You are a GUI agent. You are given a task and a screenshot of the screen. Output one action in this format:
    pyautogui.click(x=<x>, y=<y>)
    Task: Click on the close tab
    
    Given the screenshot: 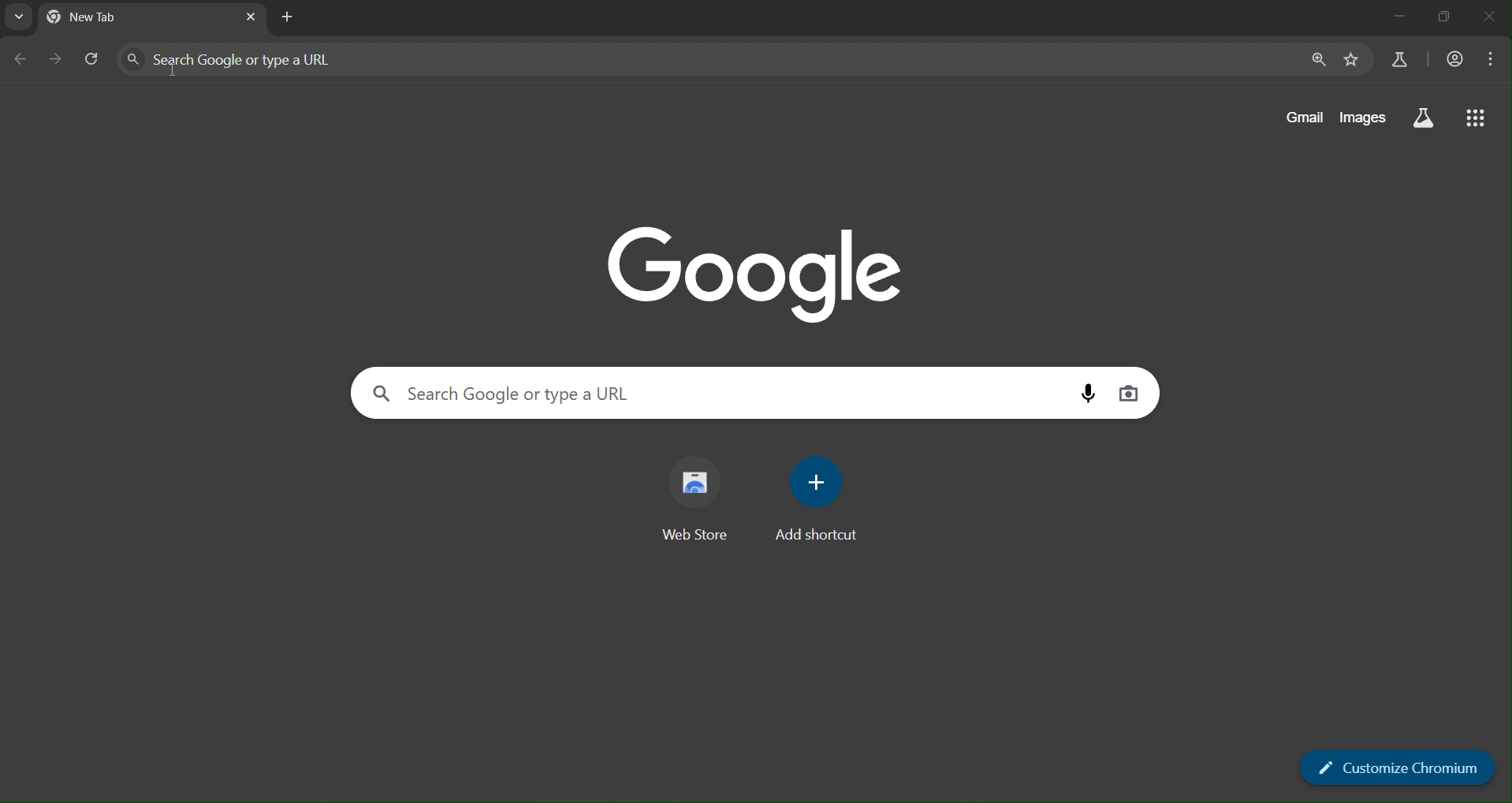 What is the action you would take?
    pyautogui.click(x=249, y=16)
    